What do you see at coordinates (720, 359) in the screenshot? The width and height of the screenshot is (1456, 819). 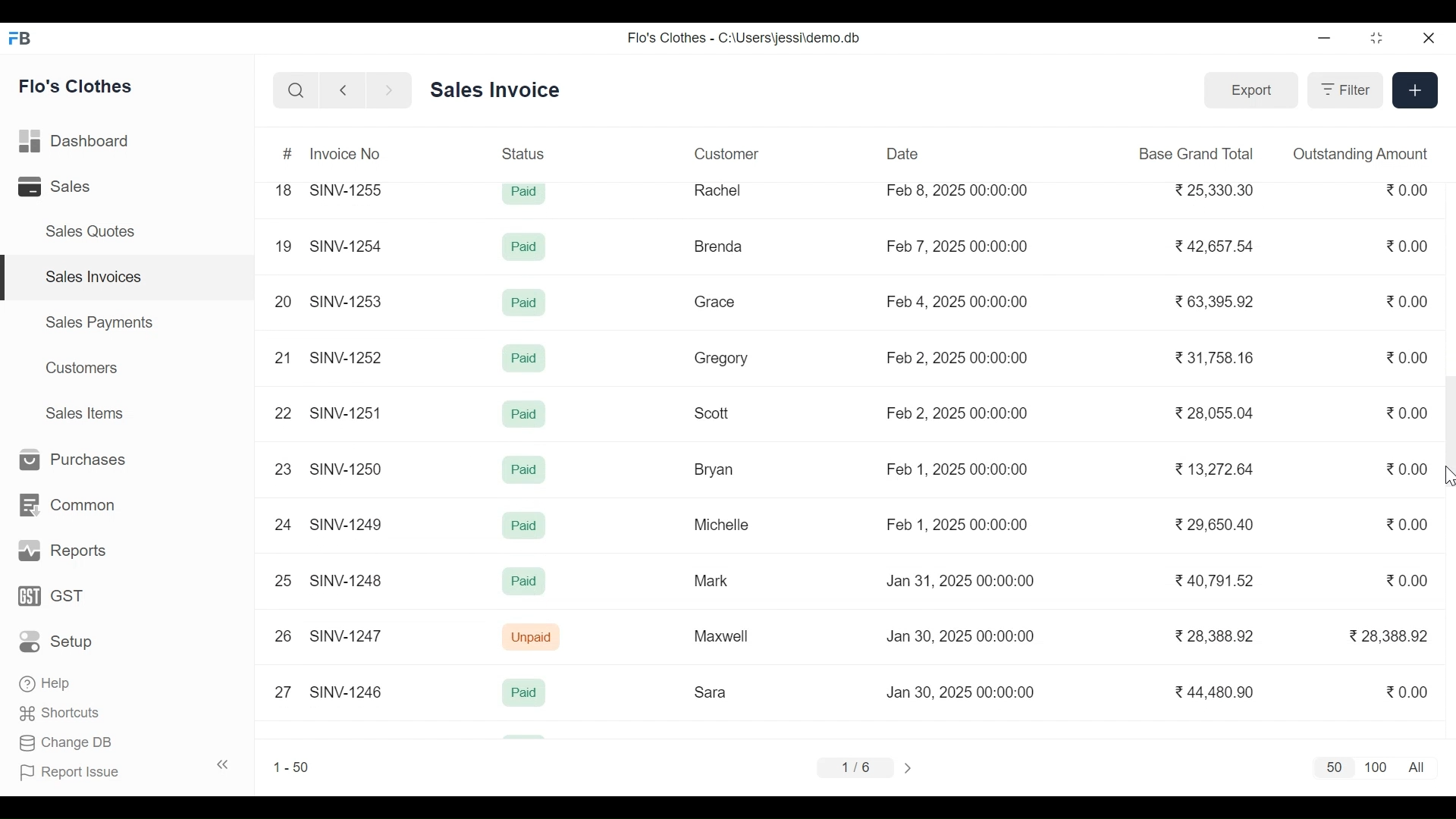 I see `Gregory` at bounding box center [720, 359].